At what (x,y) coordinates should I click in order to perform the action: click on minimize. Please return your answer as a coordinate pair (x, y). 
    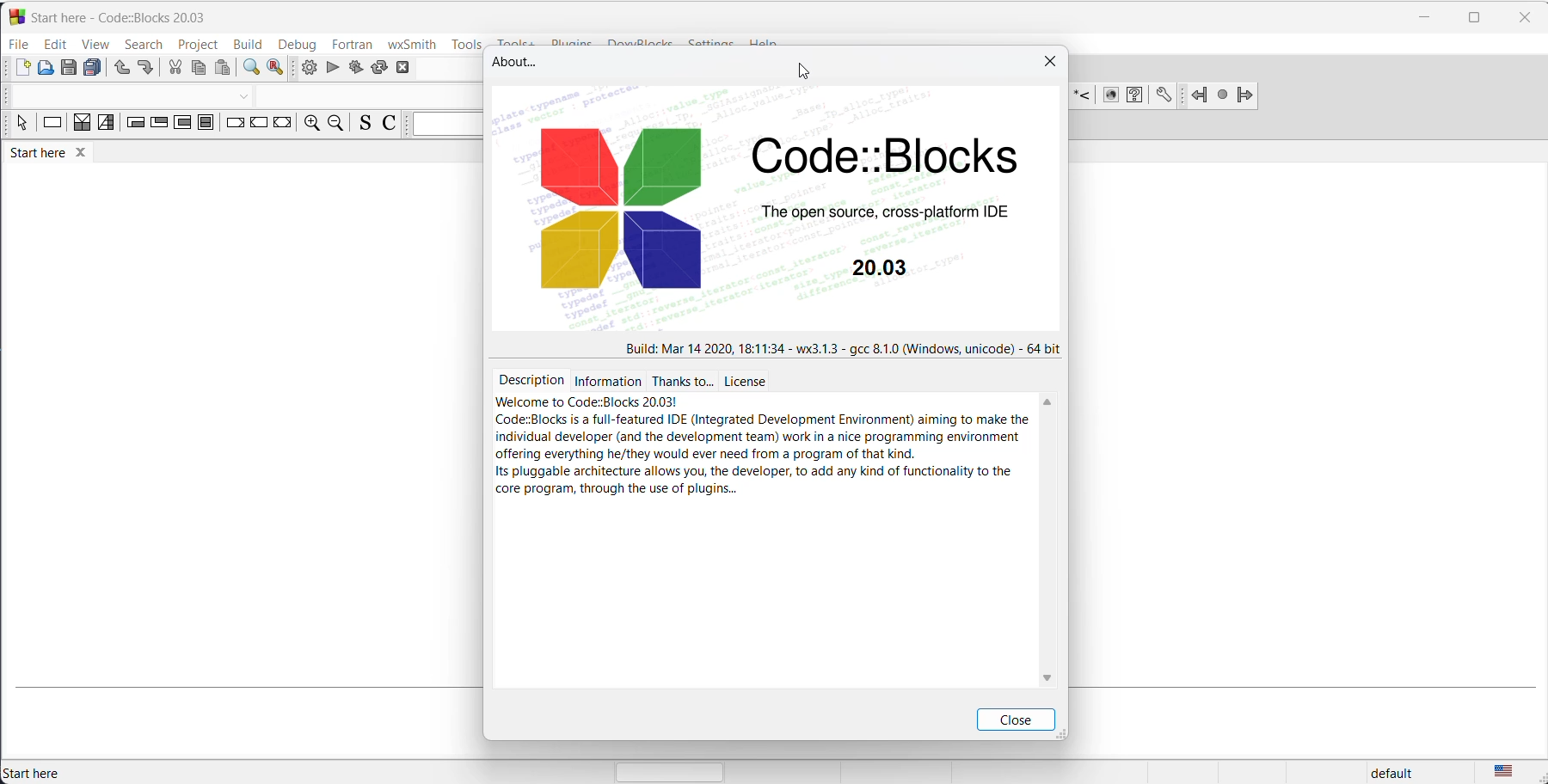
    Looking at the image, I should click on (1425, 15).